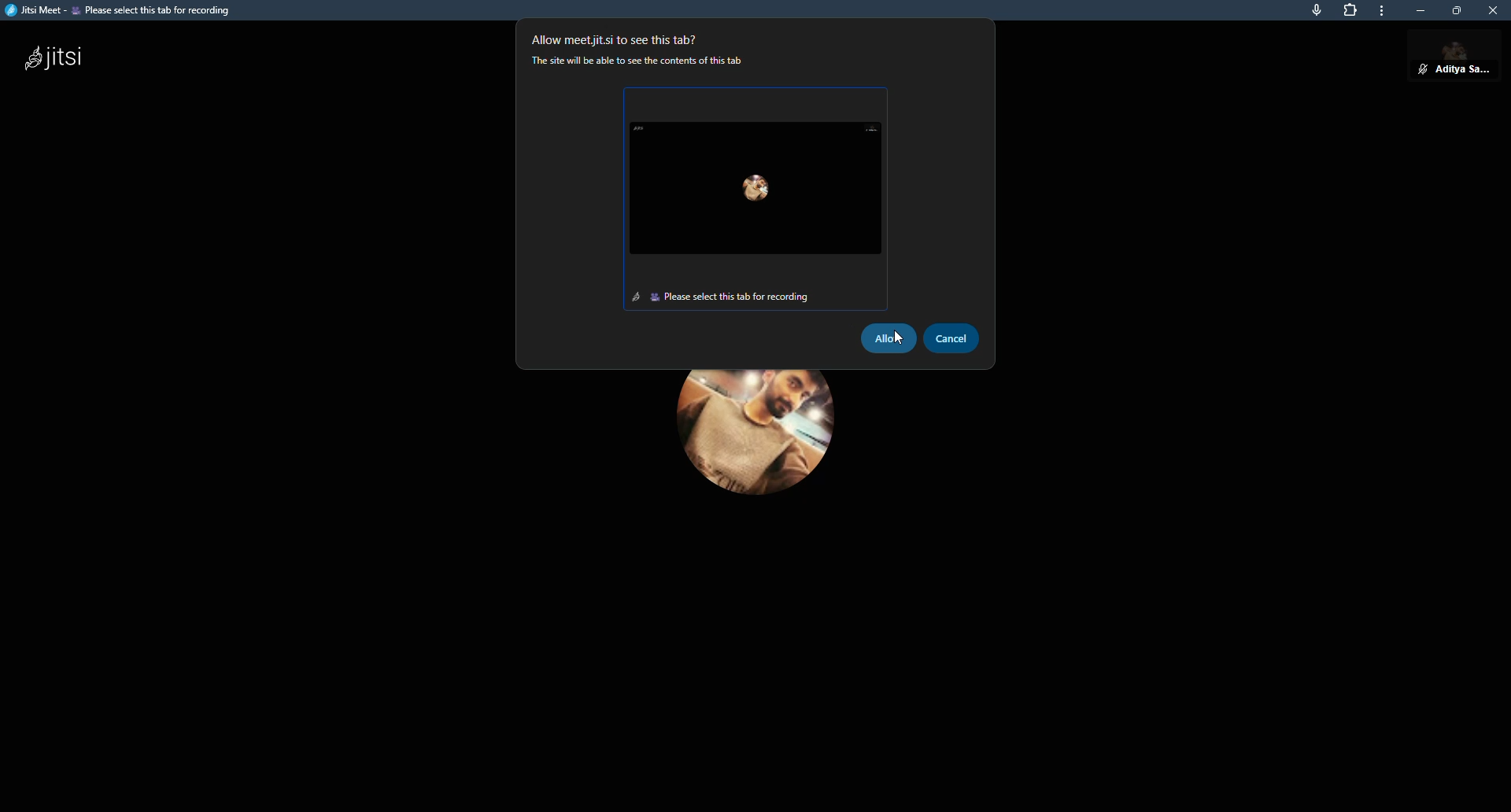 This screenshot has height=812, width=1511. What do you see at coordinates (637, 36) in the screenshot?
I see `Allow meetiit.si to see this tab?` at bounding box center [637, 36].